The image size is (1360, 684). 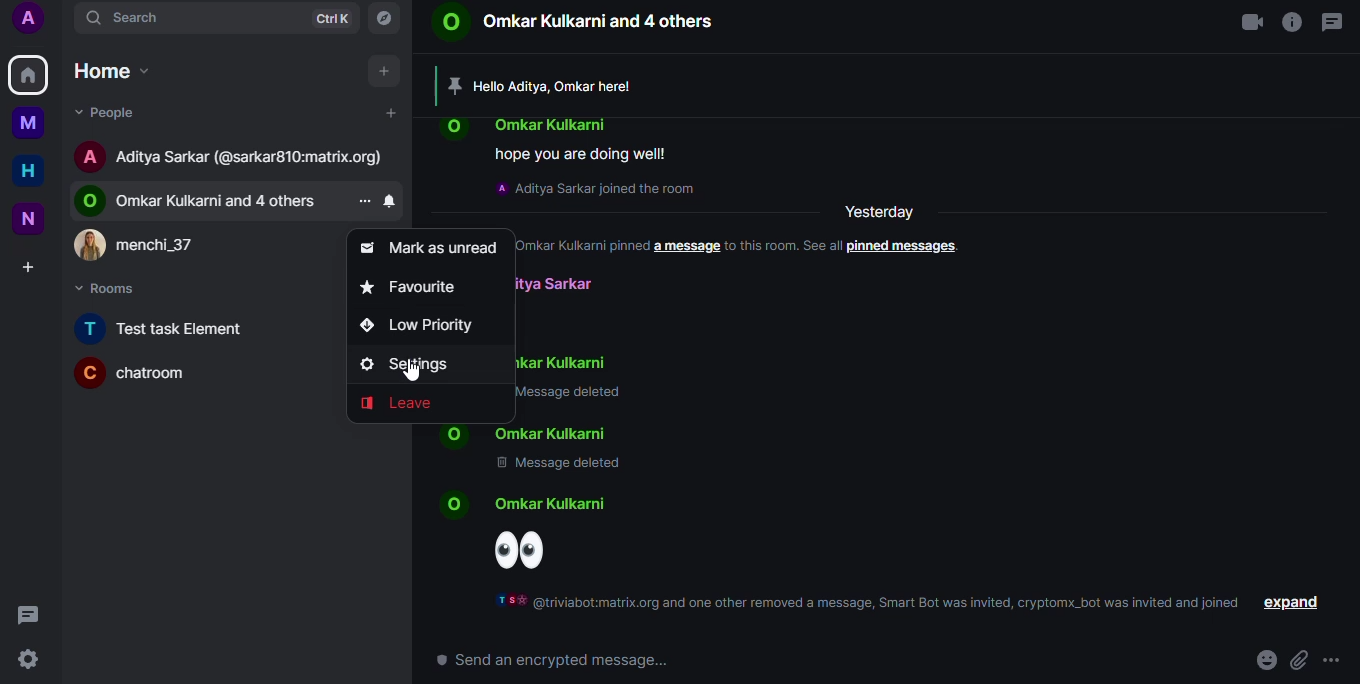 I want to click on C chatroom, so click(x=152, y=374).